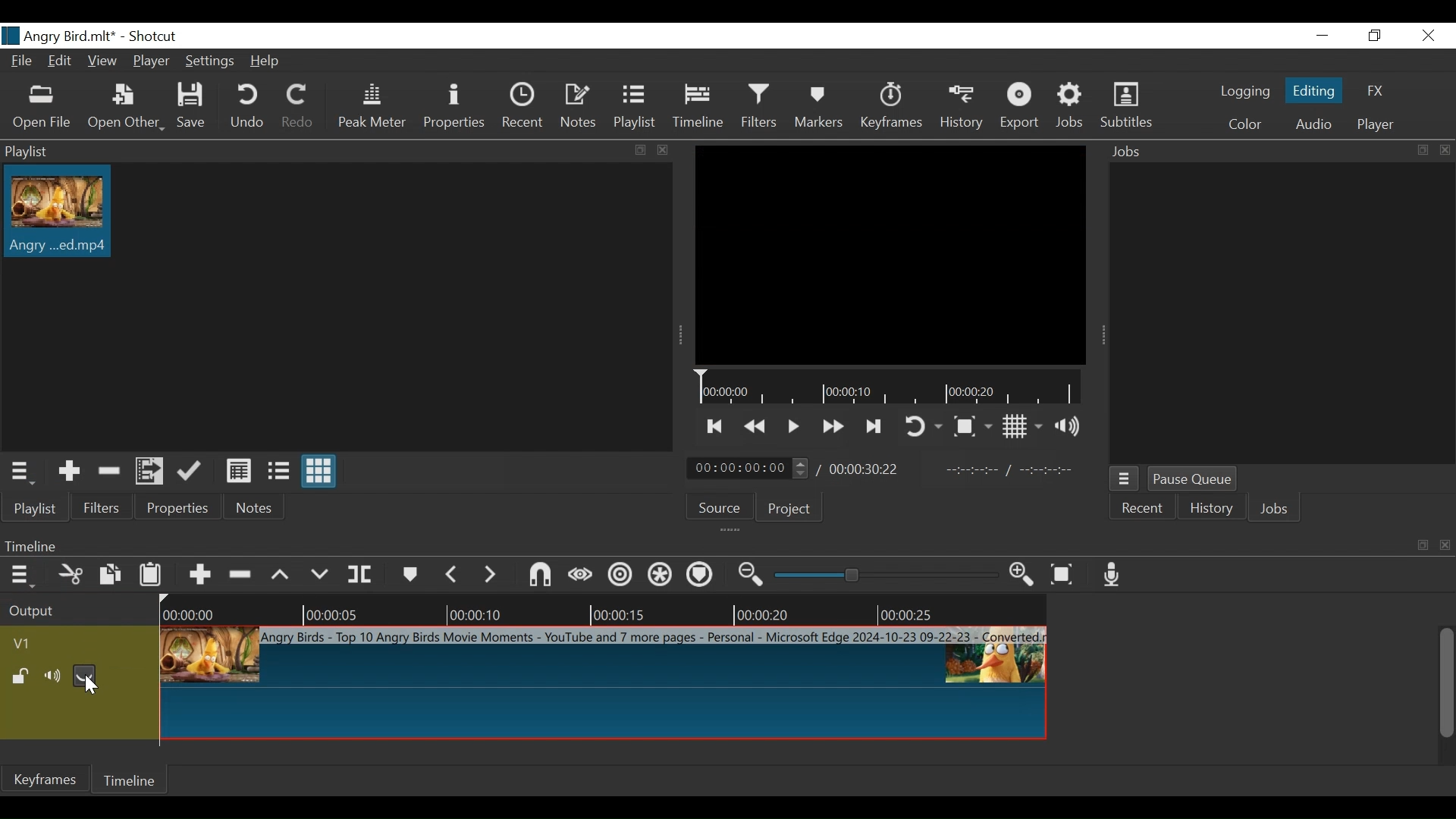  Describe the element at coordinates (789, 509) in the screenshot. I see `Project` at that location.